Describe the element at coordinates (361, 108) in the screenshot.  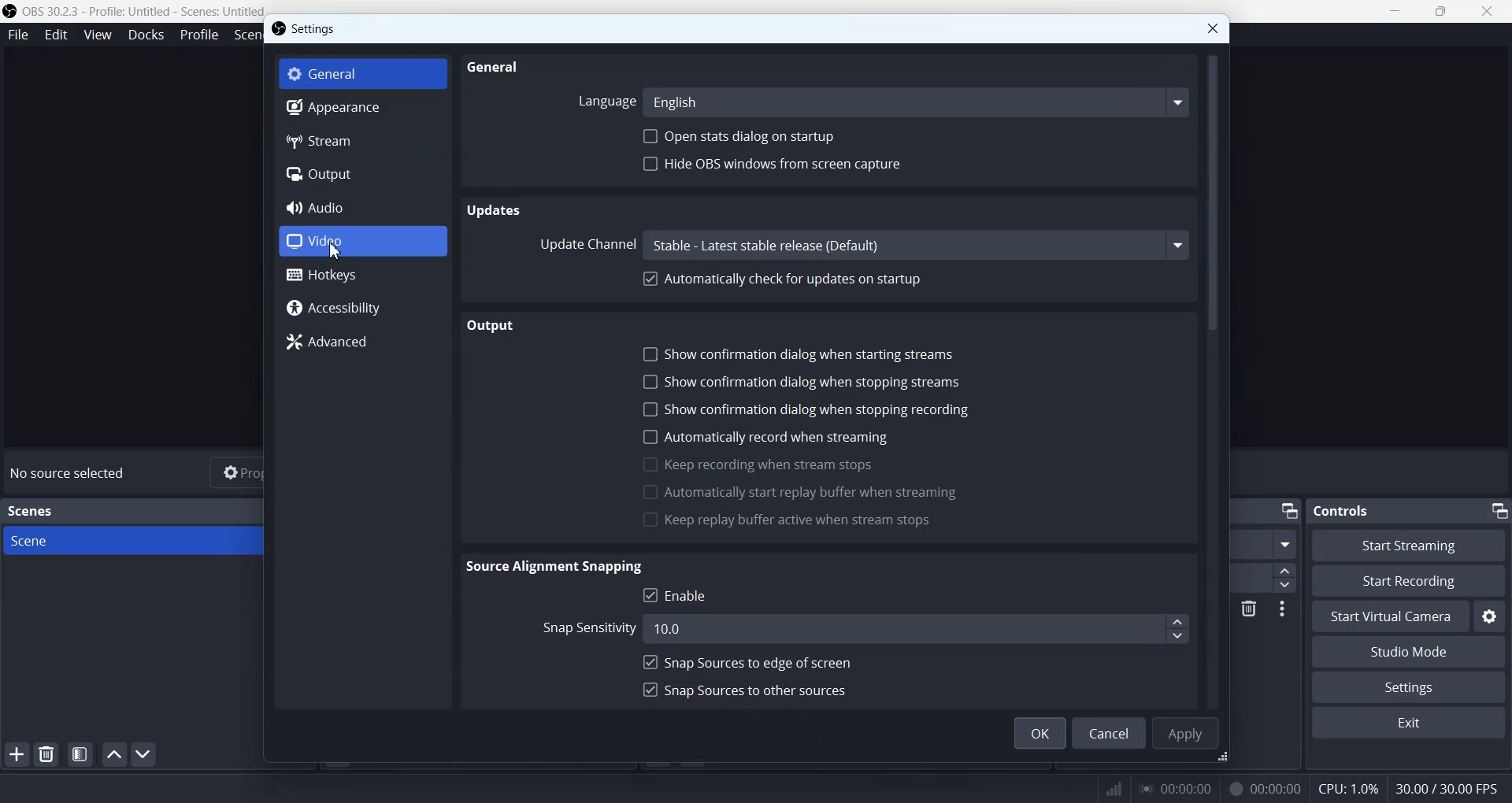
I see `Appearance` at that location.